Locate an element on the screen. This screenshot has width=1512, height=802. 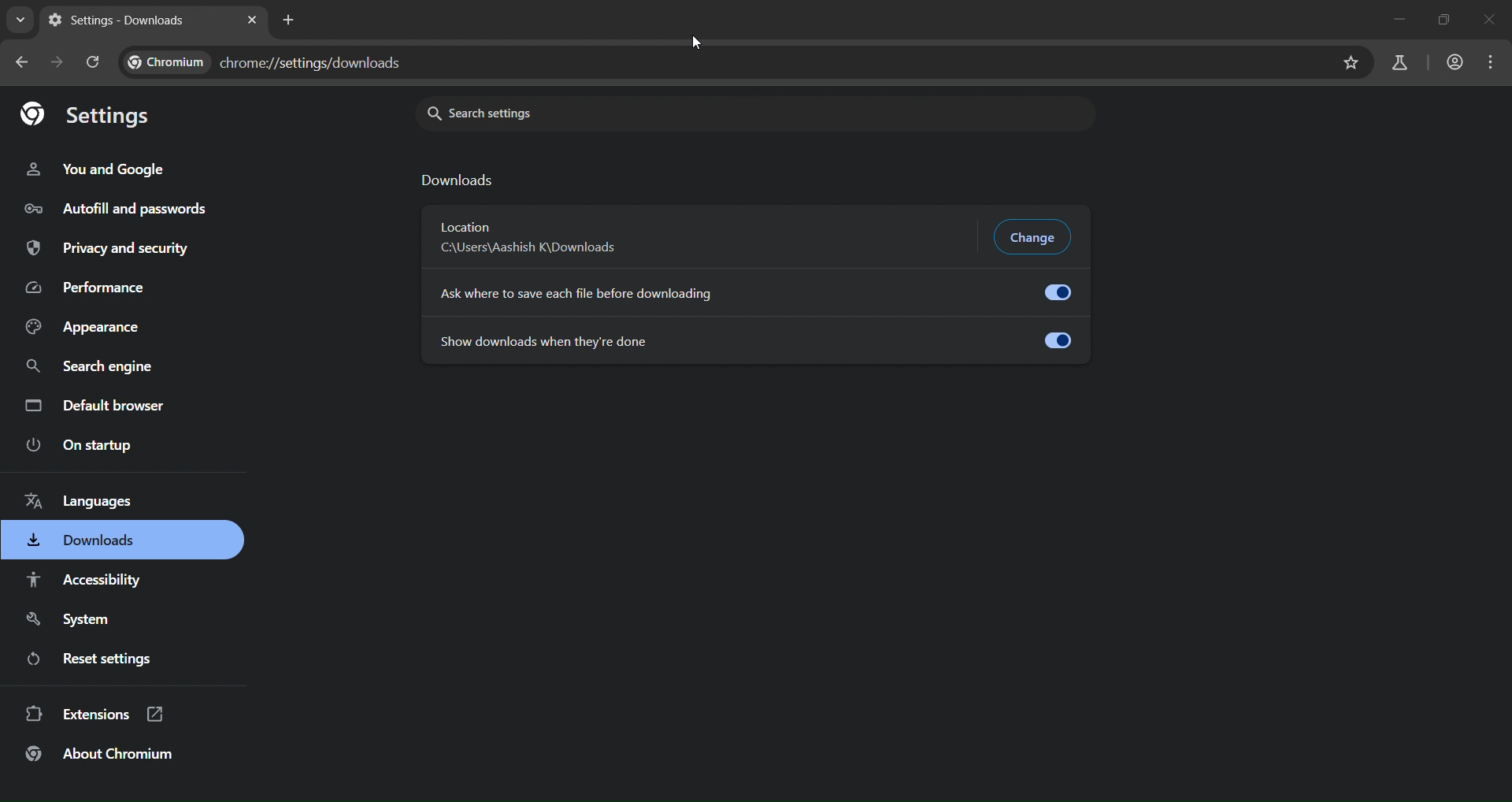
about chromium is located at coordinates (99, 756).